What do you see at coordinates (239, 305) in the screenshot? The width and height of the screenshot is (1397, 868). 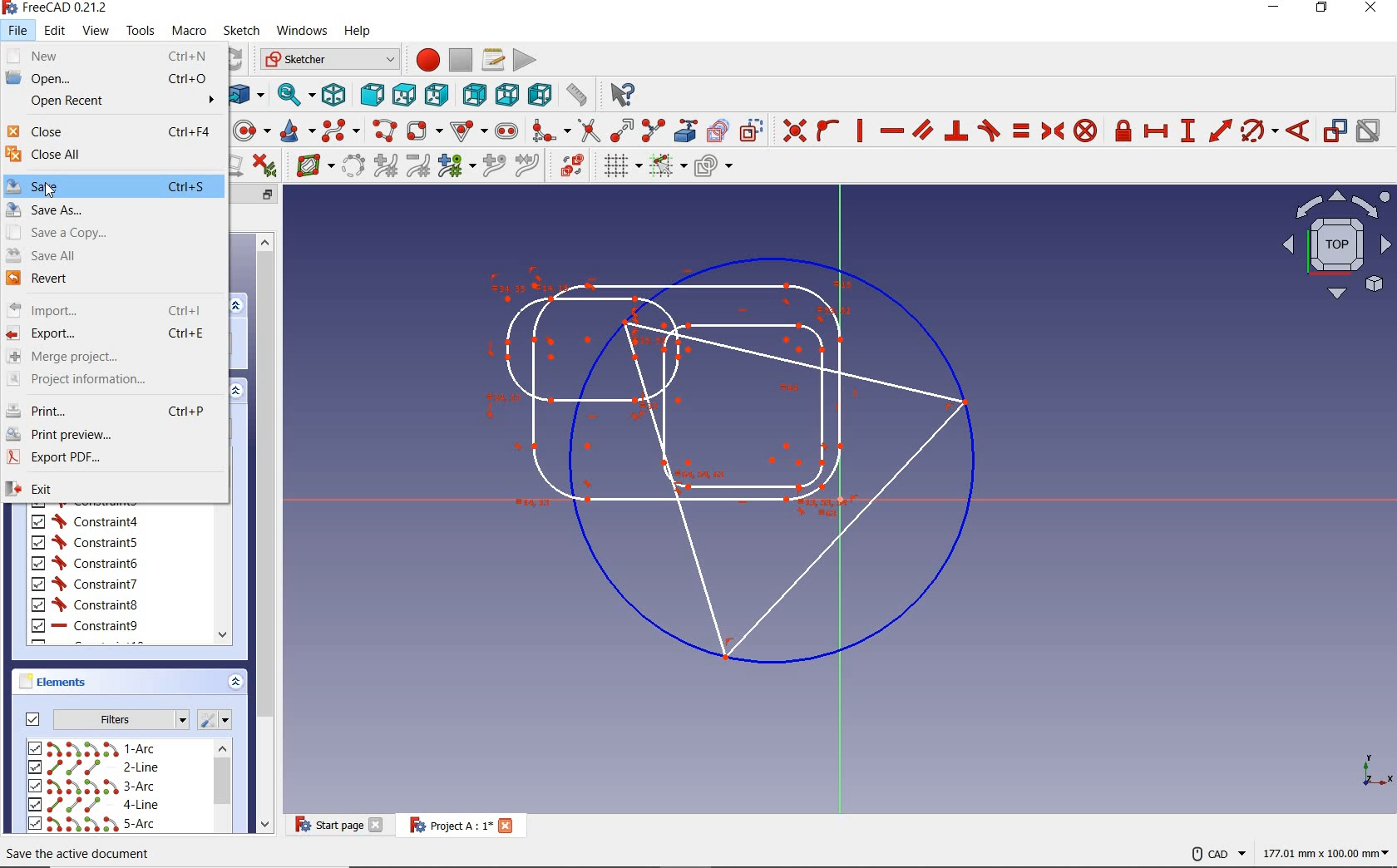 I see `expand` at bounding box center [239, 305].